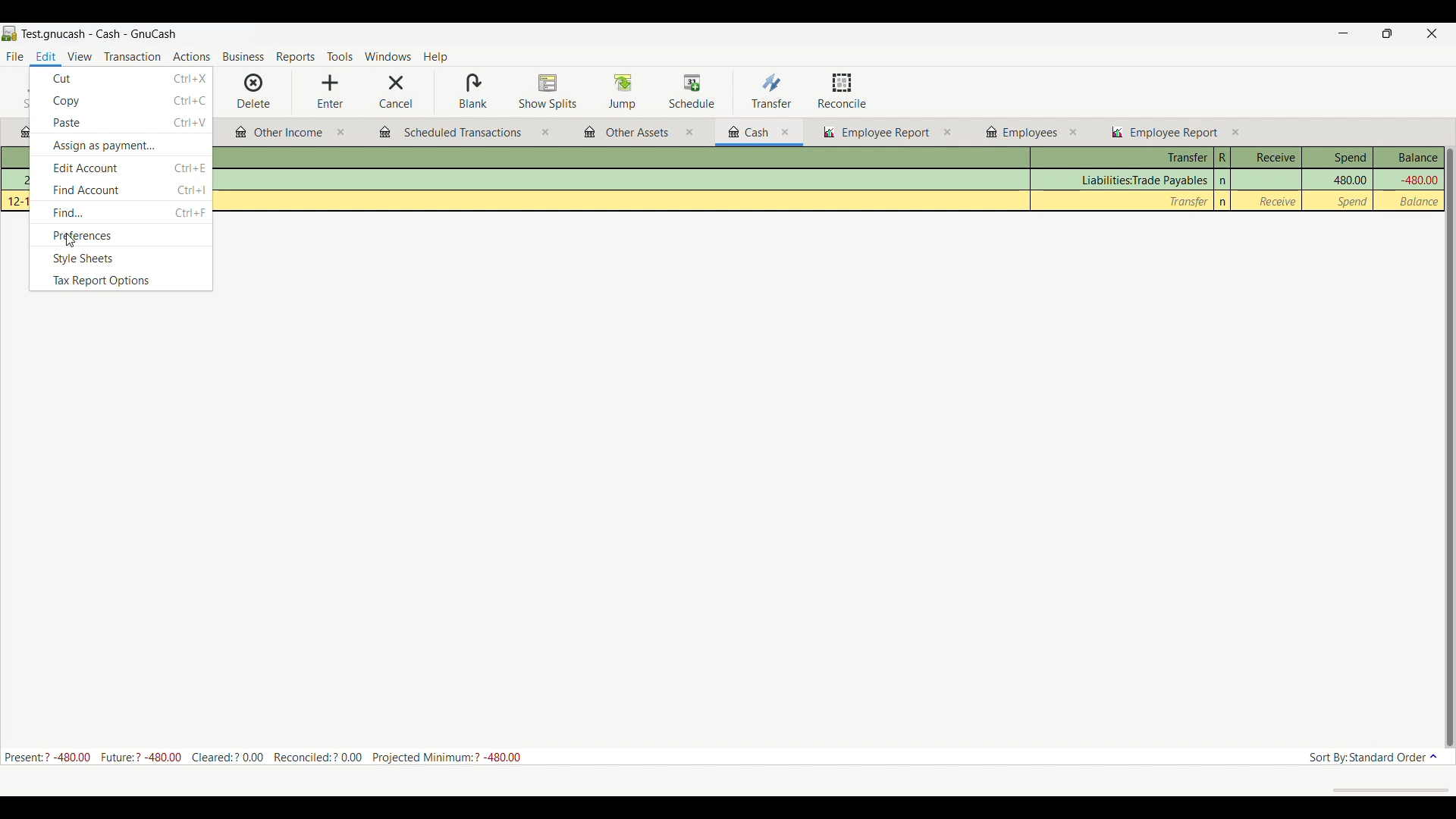 The width and height of the screenshot is (1456, 819). What do you see at coordinates (785, 132) in the screenshot?
I see `close` at bounding box center [785, 132].